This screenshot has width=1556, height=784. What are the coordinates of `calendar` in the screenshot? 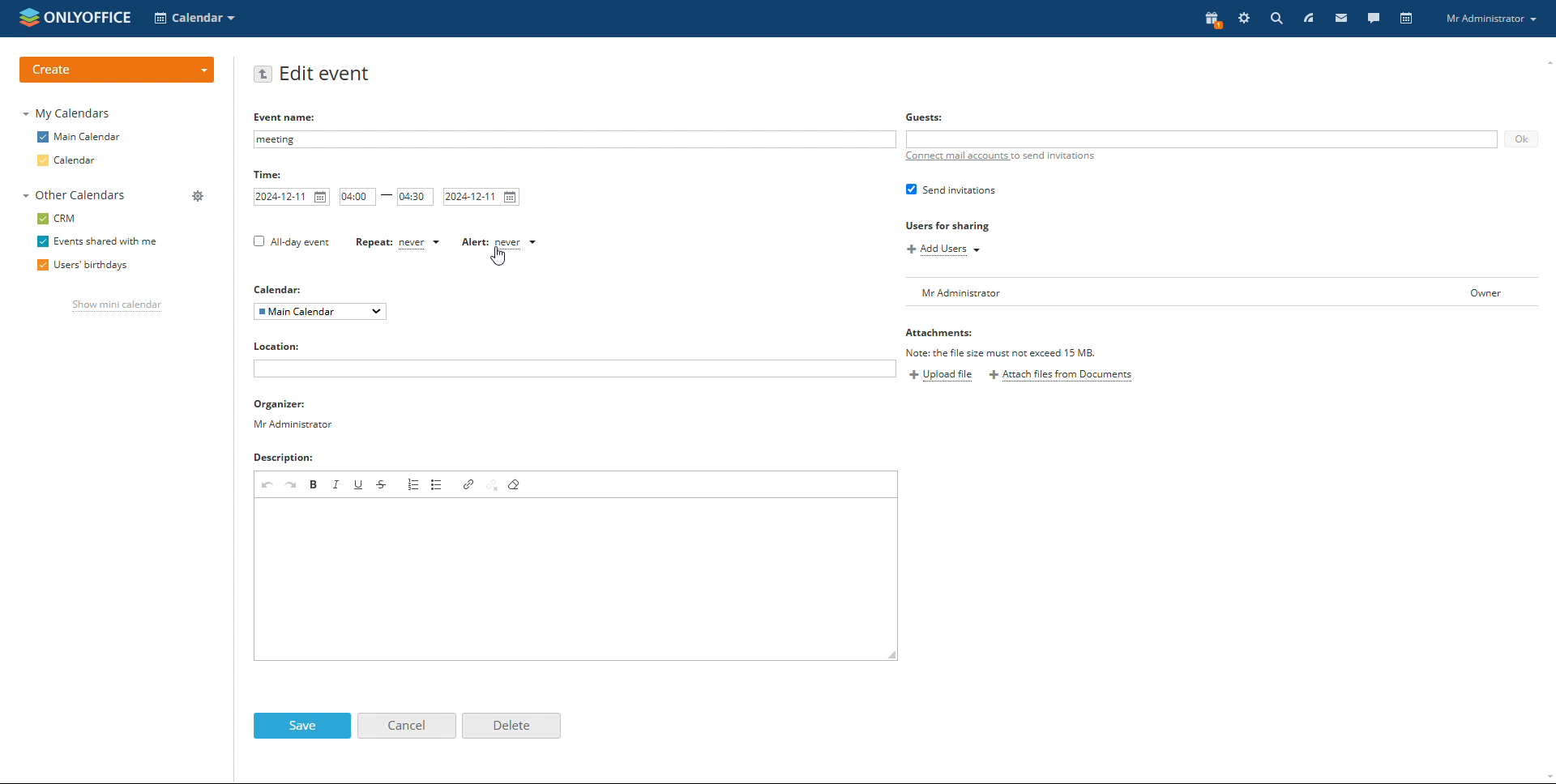 It's located at (68, 160).